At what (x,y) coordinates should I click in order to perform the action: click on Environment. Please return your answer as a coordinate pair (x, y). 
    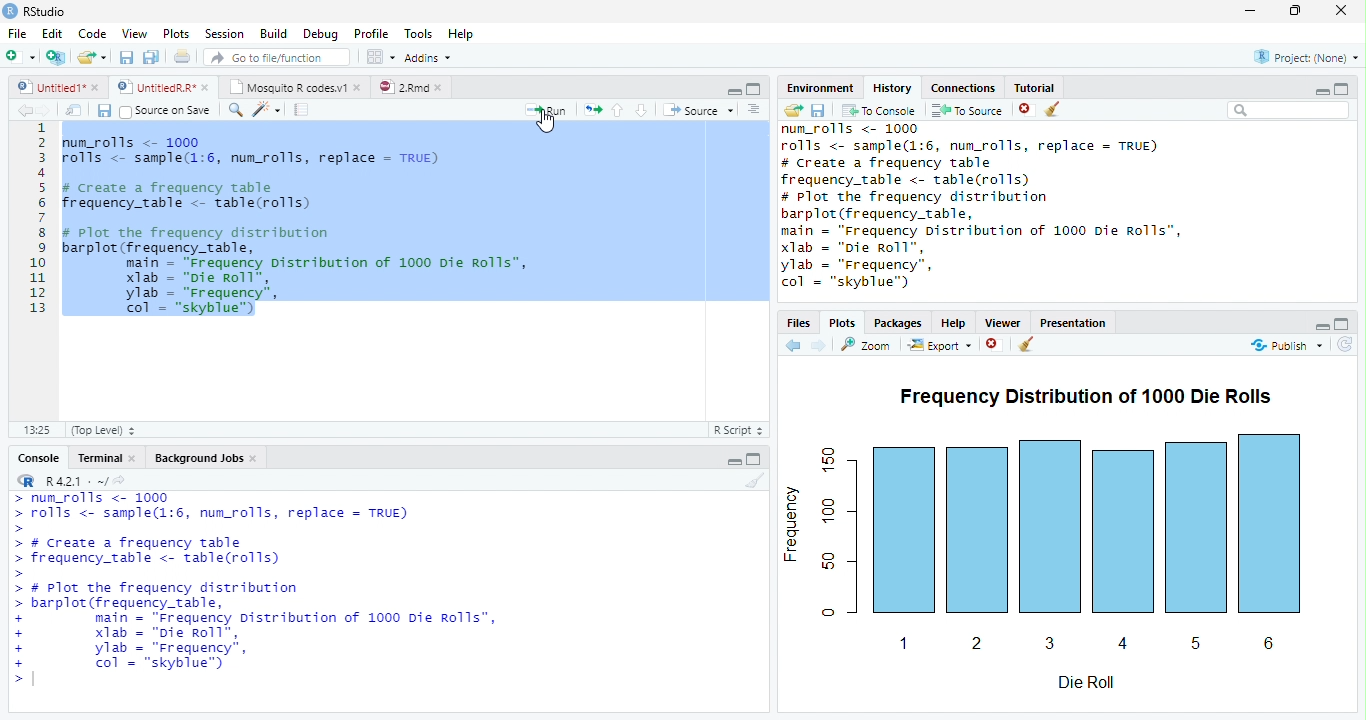
    Looking at the image, I should click on (821, 87).